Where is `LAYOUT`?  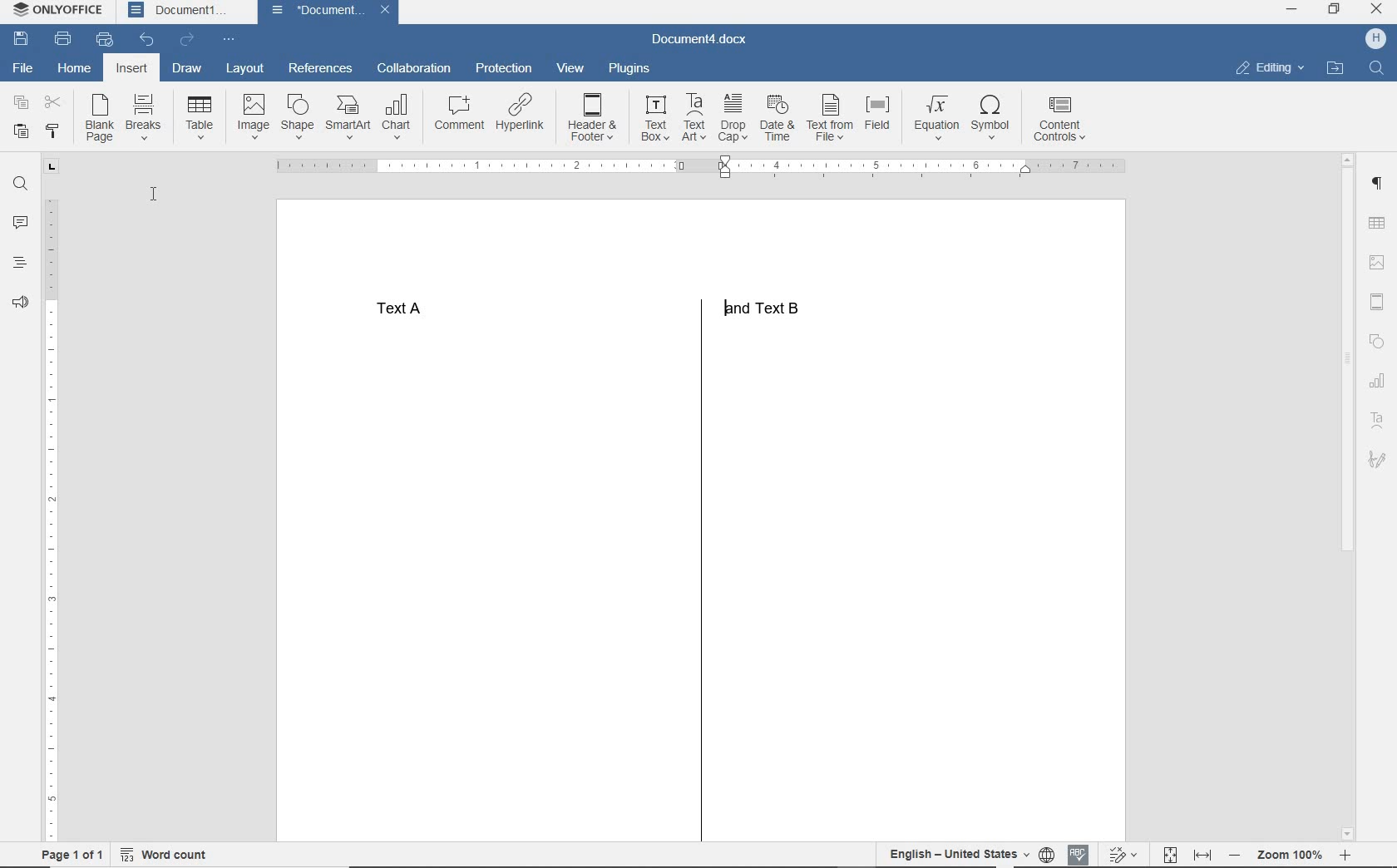 LAYOUT is located at coordinates (246, 69).